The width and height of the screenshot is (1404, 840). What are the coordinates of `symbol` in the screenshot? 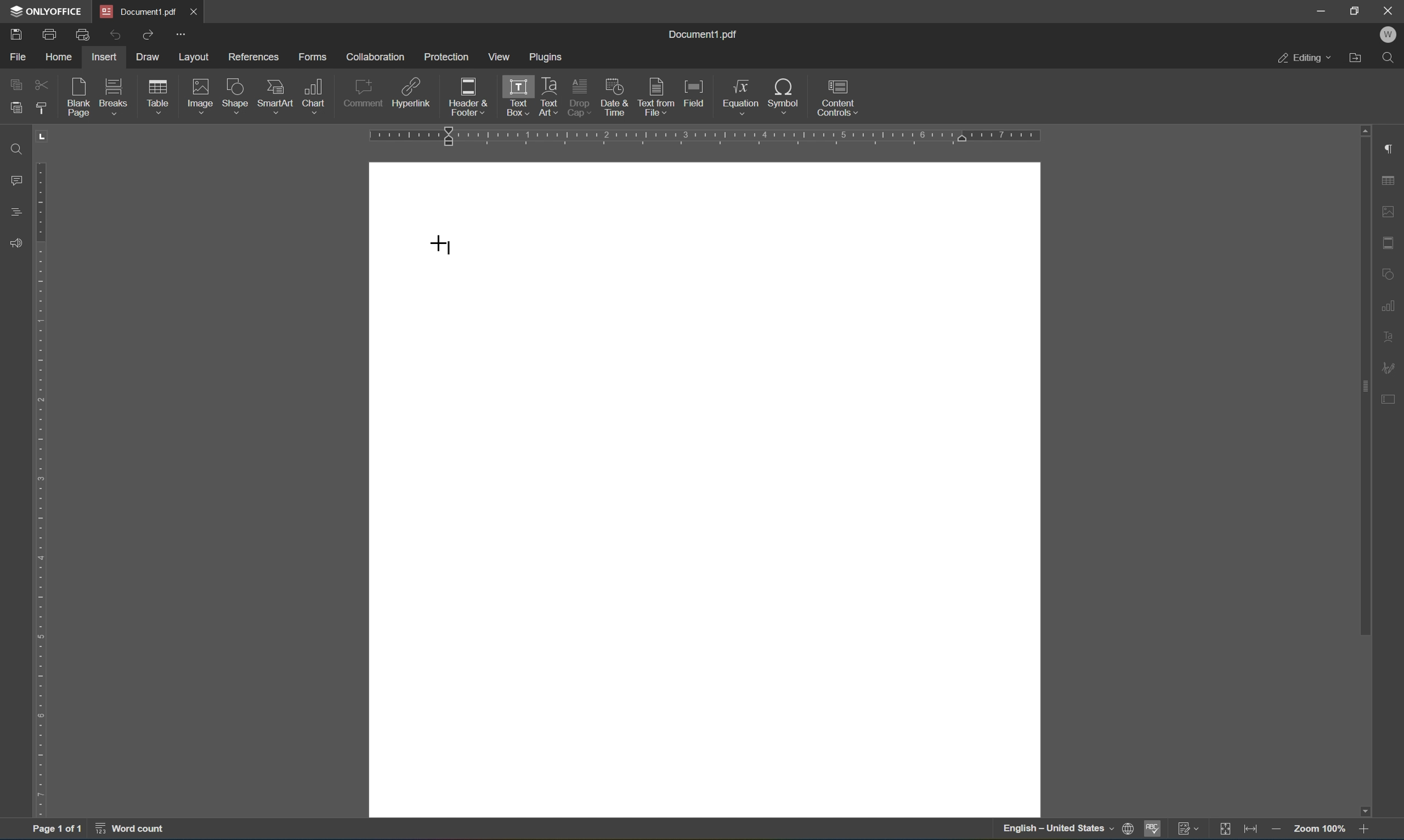 It's located at (787, 98).